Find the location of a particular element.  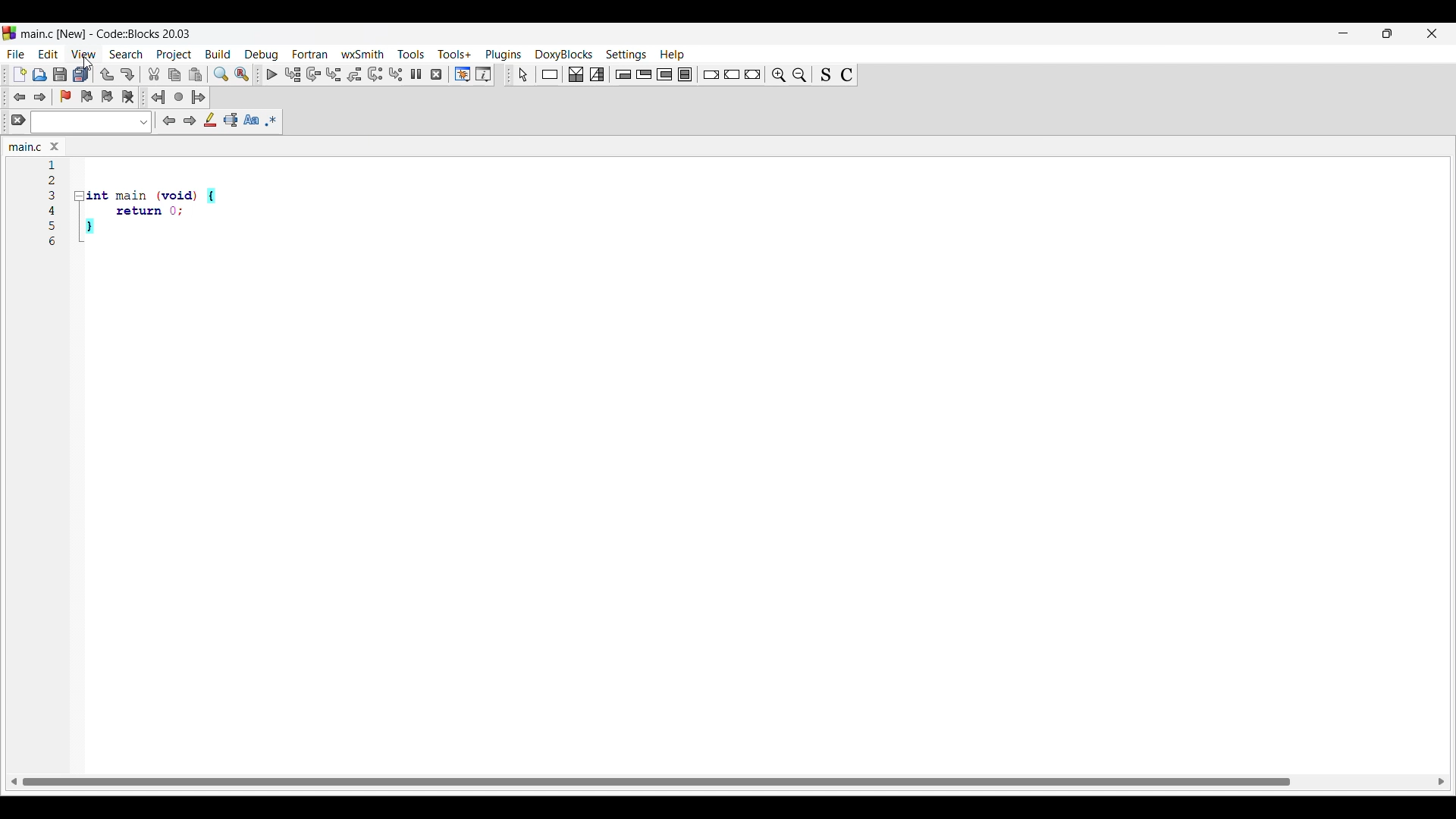

Settings menu is located at coordinates (626, 55).